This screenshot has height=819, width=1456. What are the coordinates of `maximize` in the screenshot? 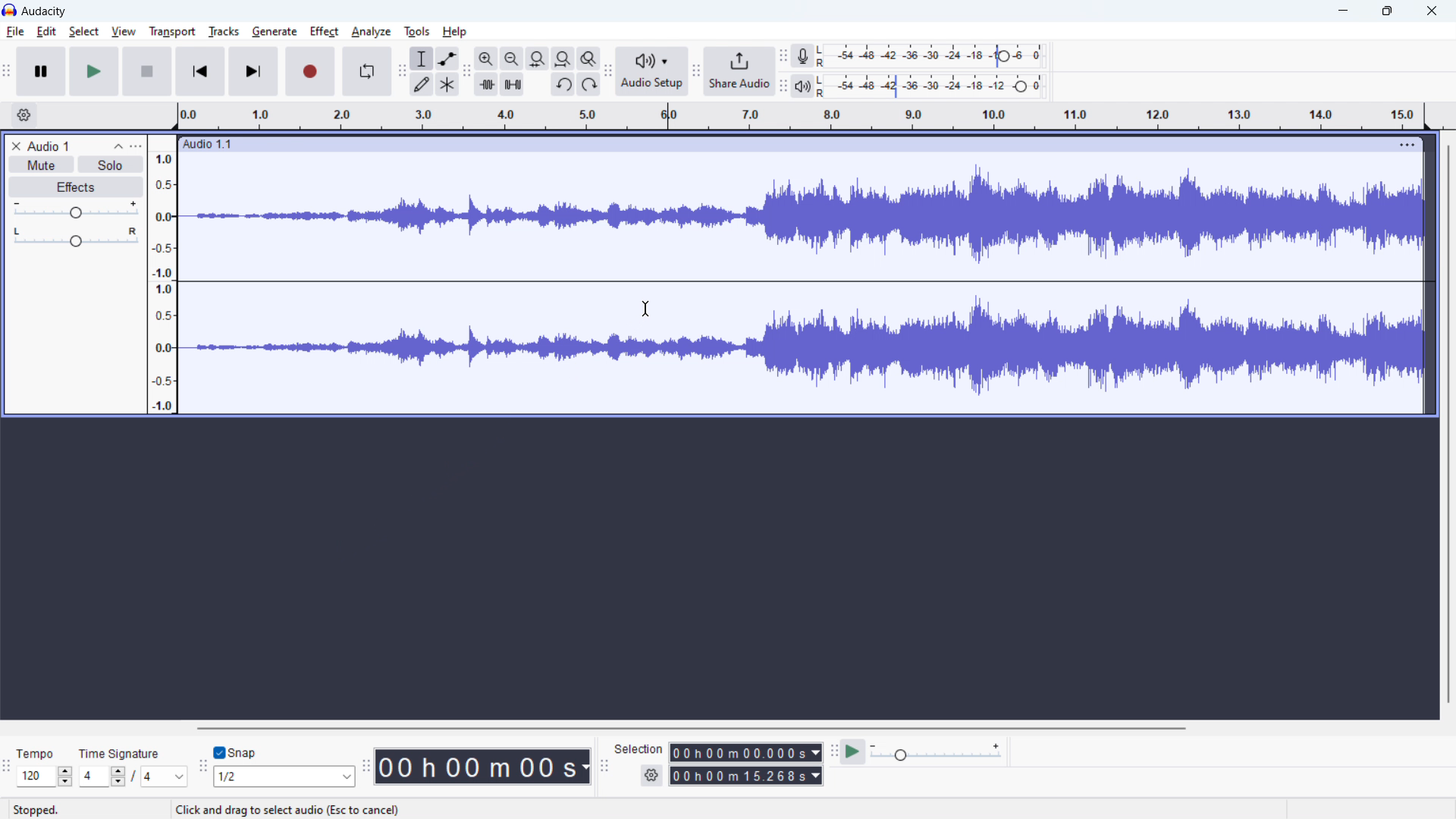 It's located at (1388, 11).